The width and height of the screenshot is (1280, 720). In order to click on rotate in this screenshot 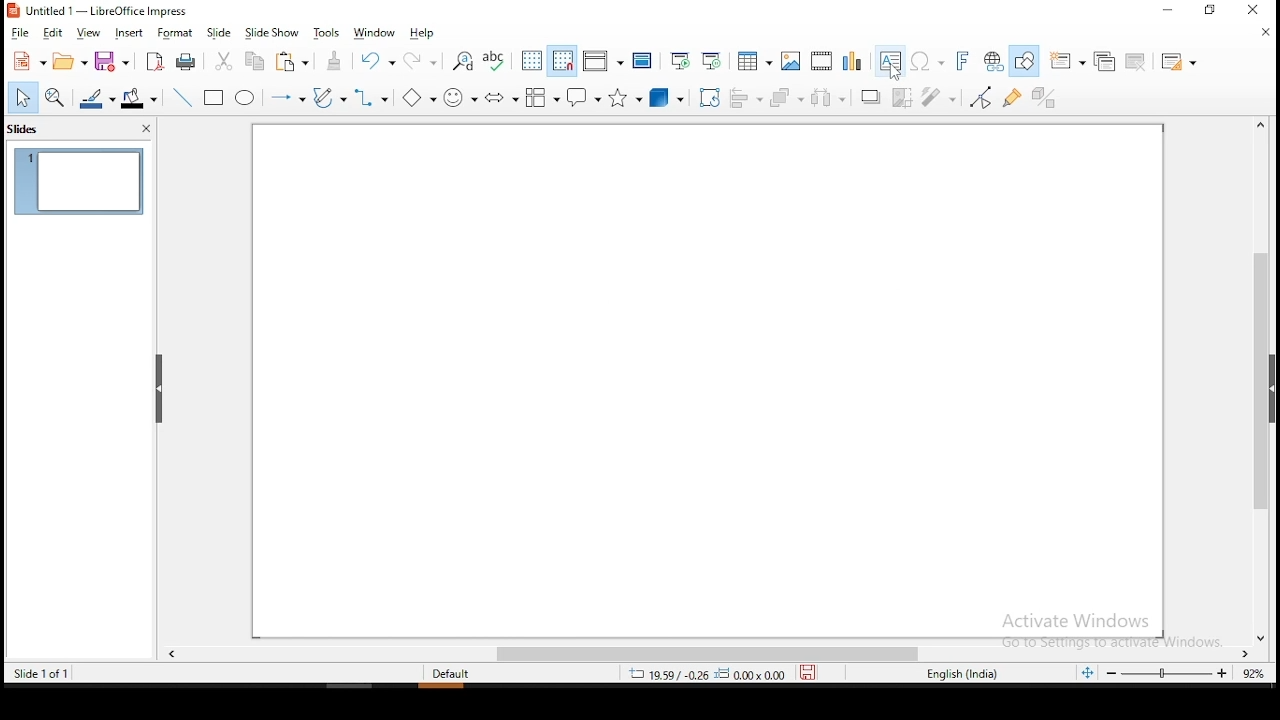, I will do `click(708, 96)`.